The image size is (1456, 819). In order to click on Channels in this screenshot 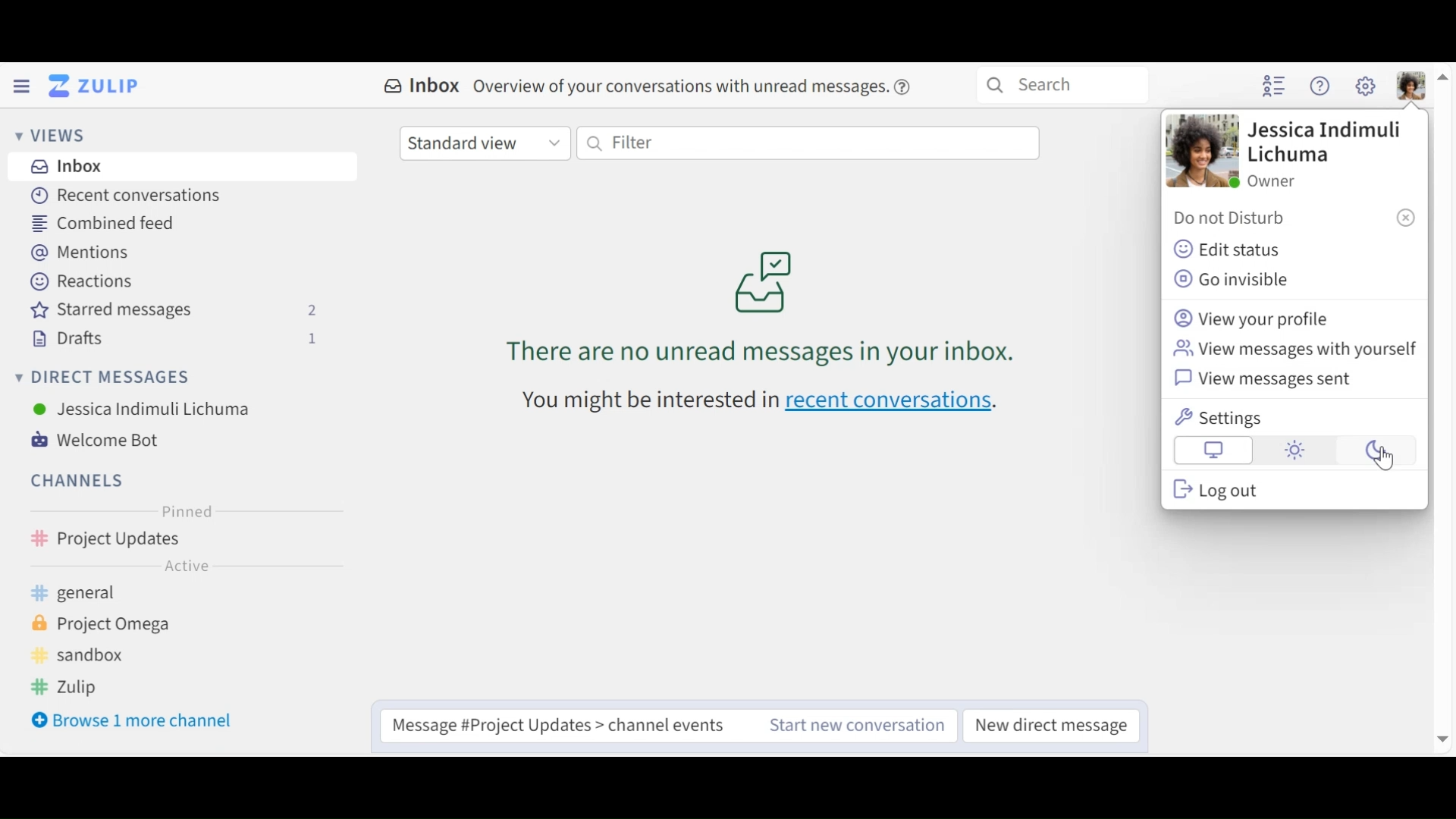, I will do `click(74, 480)`.